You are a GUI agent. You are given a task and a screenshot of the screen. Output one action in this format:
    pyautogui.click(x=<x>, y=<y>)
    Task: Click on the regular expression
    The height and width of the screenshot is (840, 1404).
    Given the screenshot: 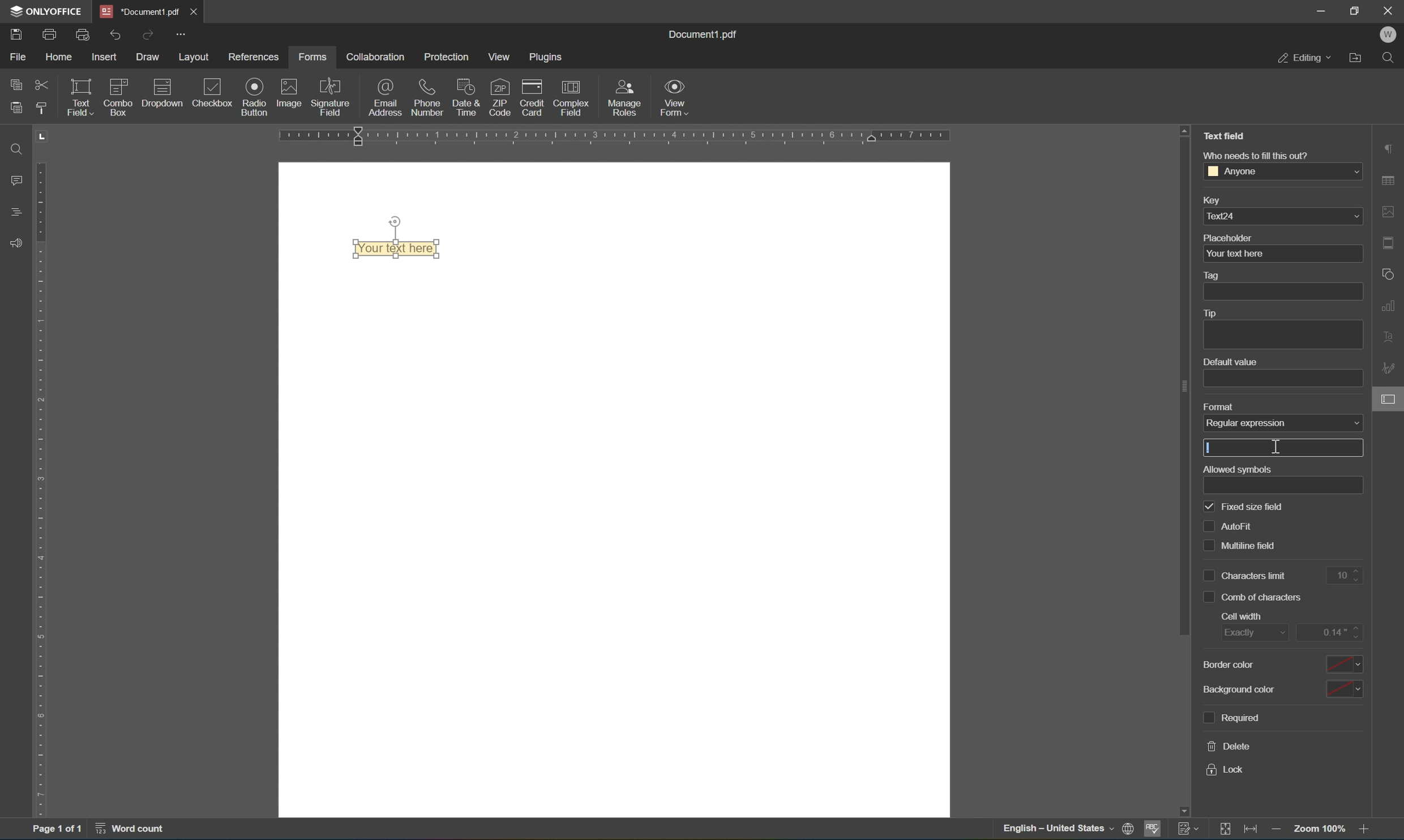 What is the action you would take?
    pyautogui.click(x=1283, y=422)
    